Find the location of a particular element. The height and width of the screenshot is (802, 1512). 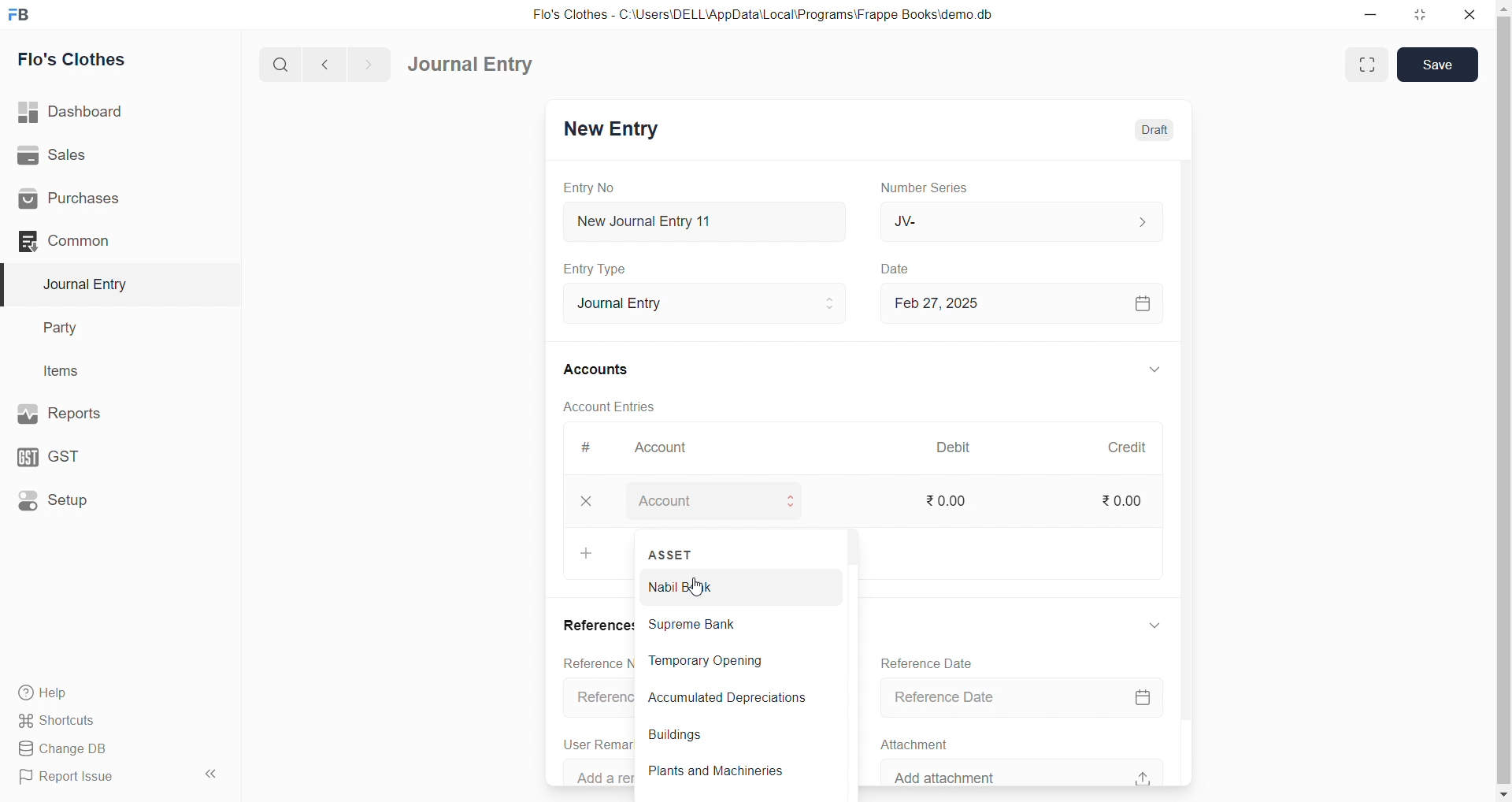

# is located at coordinates (594, 447).